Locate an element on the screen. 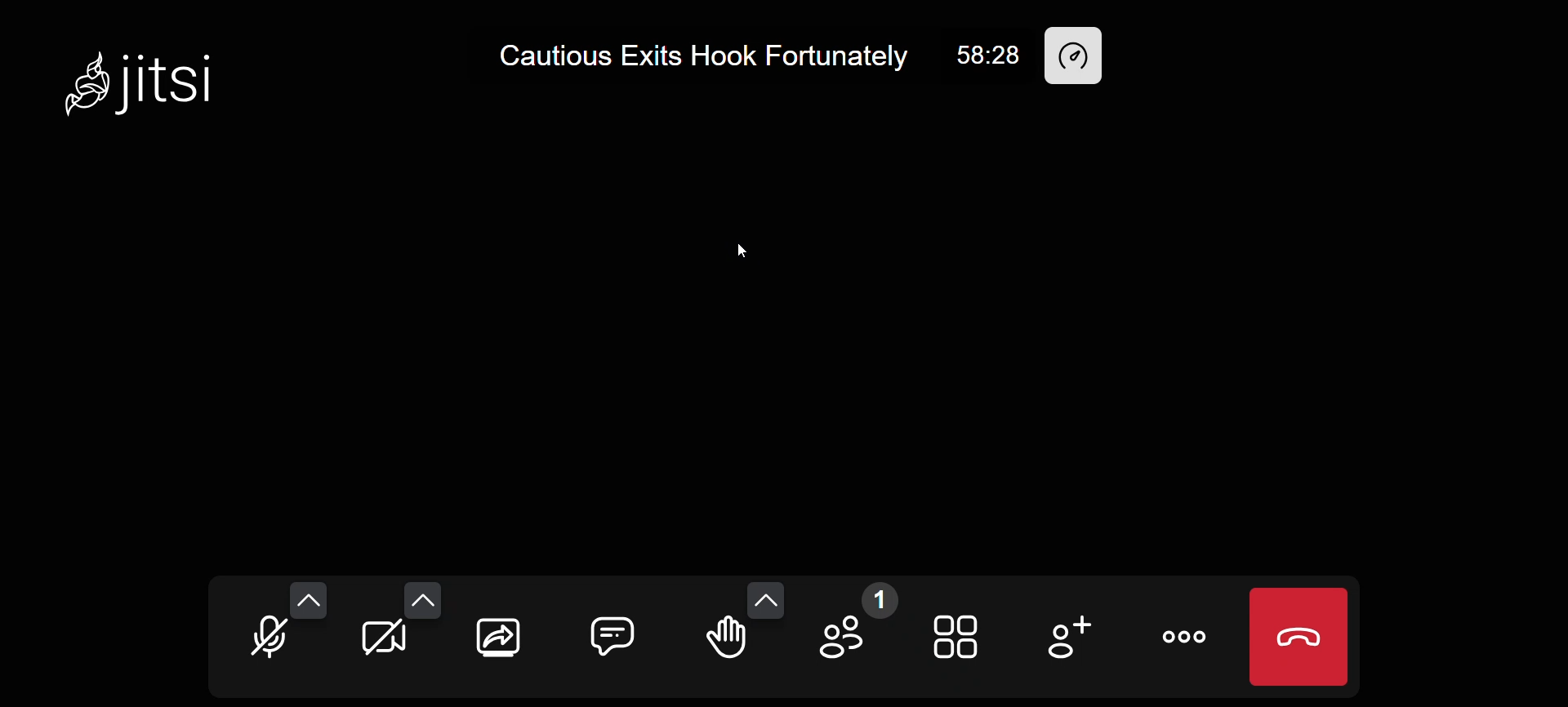  more is located at coordinates (1180, 638).